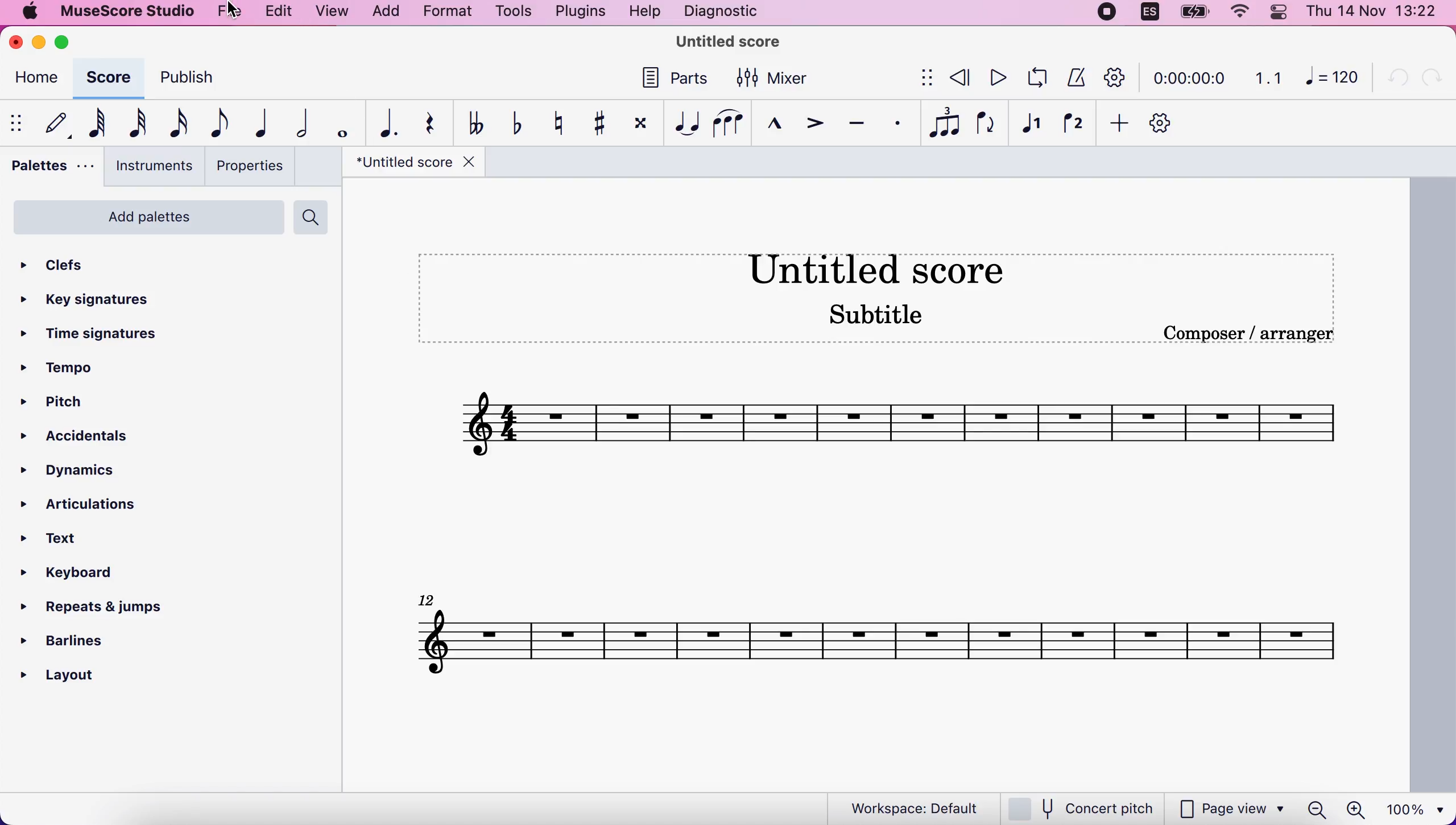 This screenshot has width=1456, height=825. Describe the element at coordinates (1034, 79) in the screenshot. I see `playback loop` at that location.